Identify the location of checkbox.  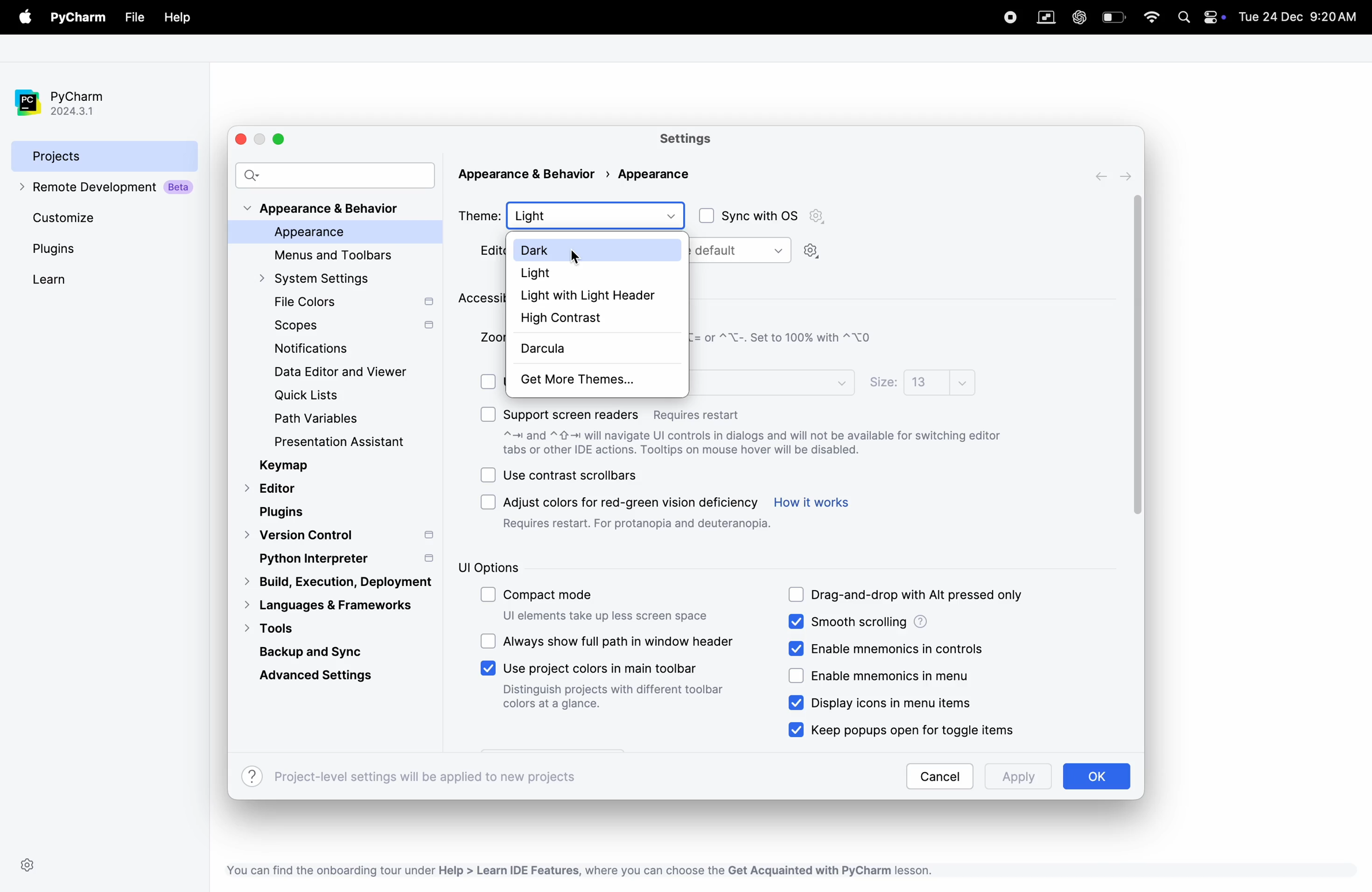
(488, 475).